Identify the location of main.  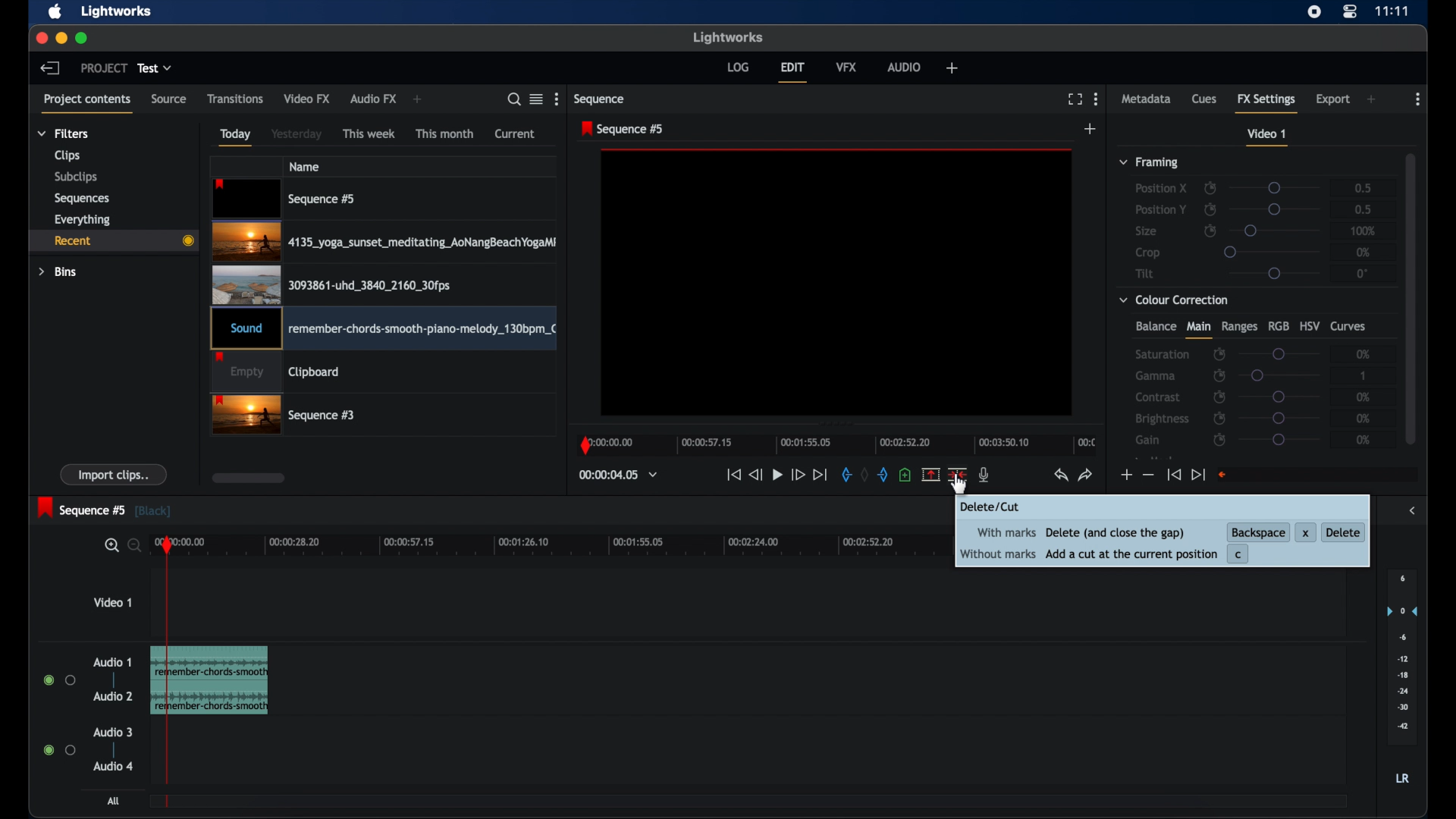
(1198, 330).